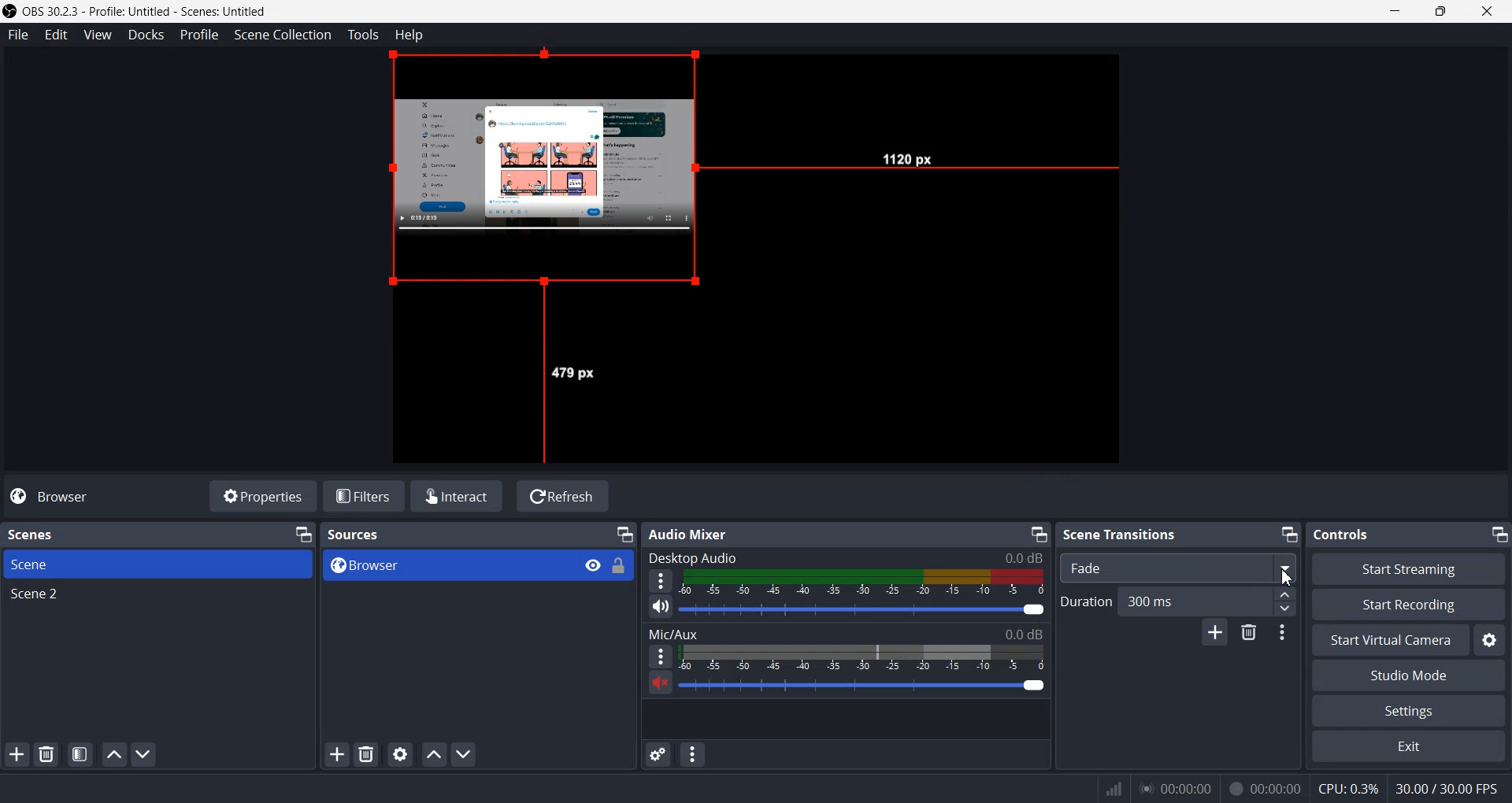 Image resolution: width=1512 pixels, height=803 pixels. What do you see at coordinates (457, 496) in the screenshot?
I see `Interact` at bounding box center [457, 496].